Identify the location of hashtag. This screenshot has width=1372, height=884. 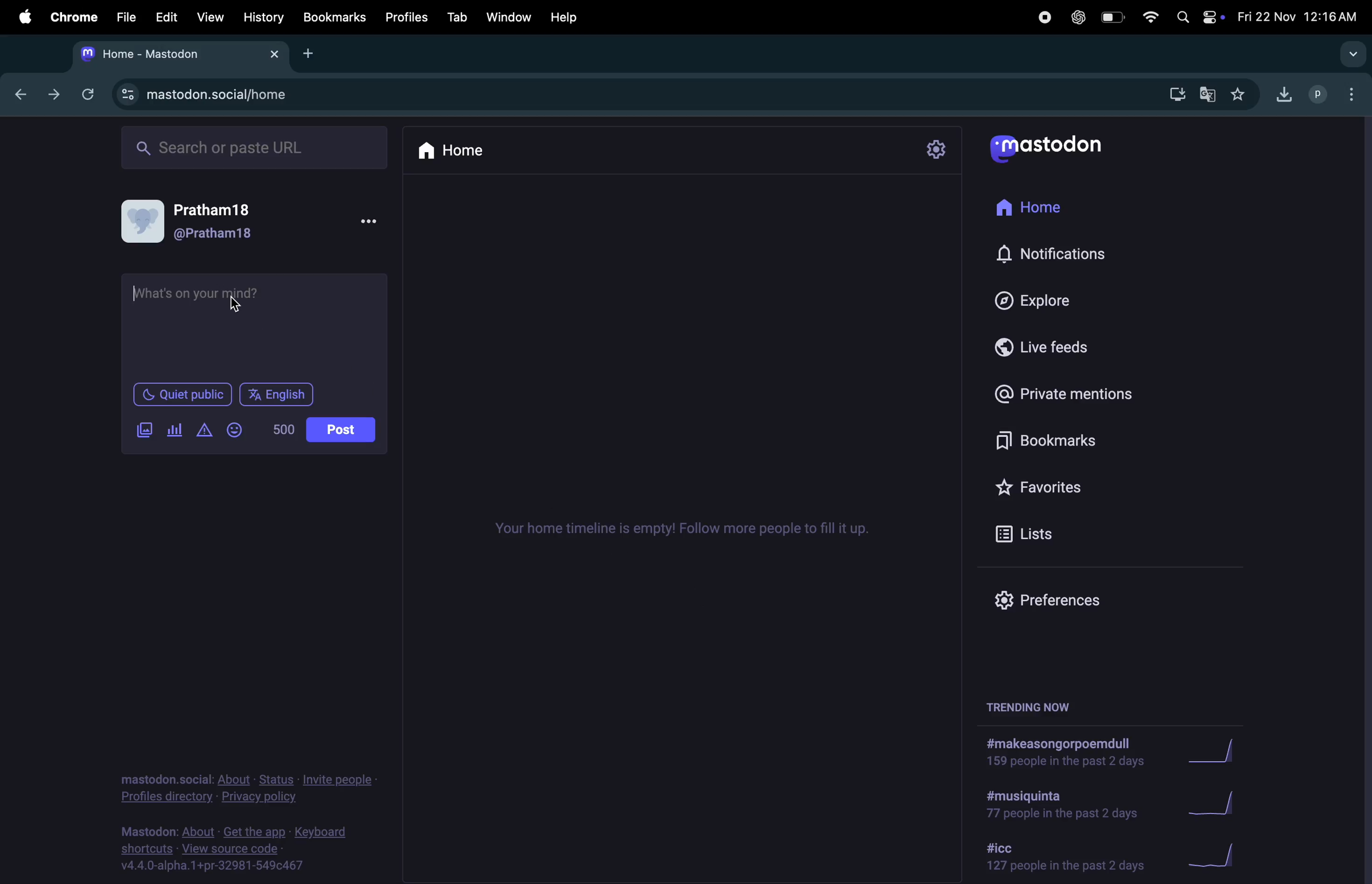
(1062, 857).